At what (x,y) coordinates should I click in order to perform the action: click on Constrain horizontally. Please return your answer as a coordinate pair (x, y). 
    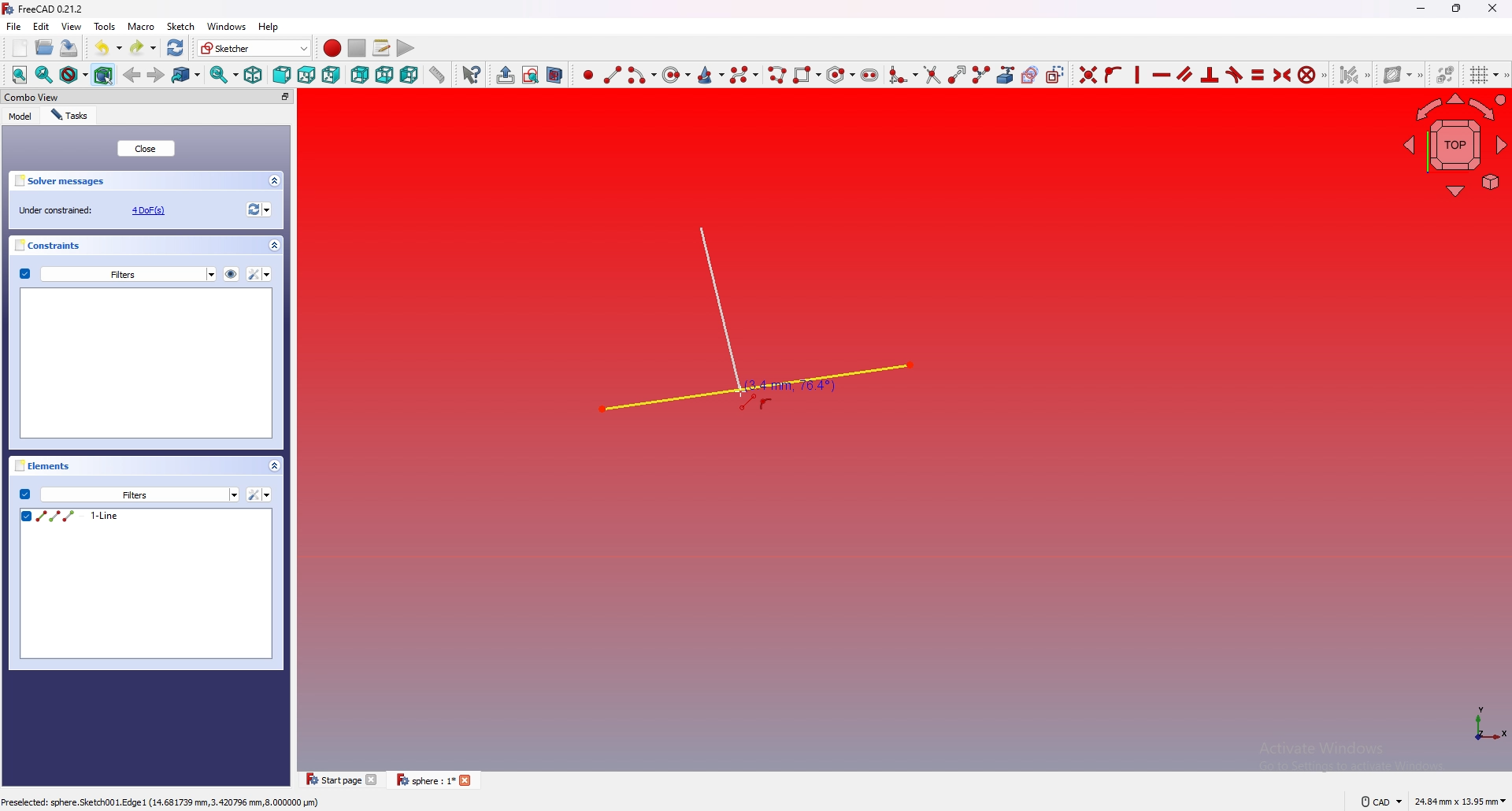
    Looking at the image, I should click on (1161, 75).